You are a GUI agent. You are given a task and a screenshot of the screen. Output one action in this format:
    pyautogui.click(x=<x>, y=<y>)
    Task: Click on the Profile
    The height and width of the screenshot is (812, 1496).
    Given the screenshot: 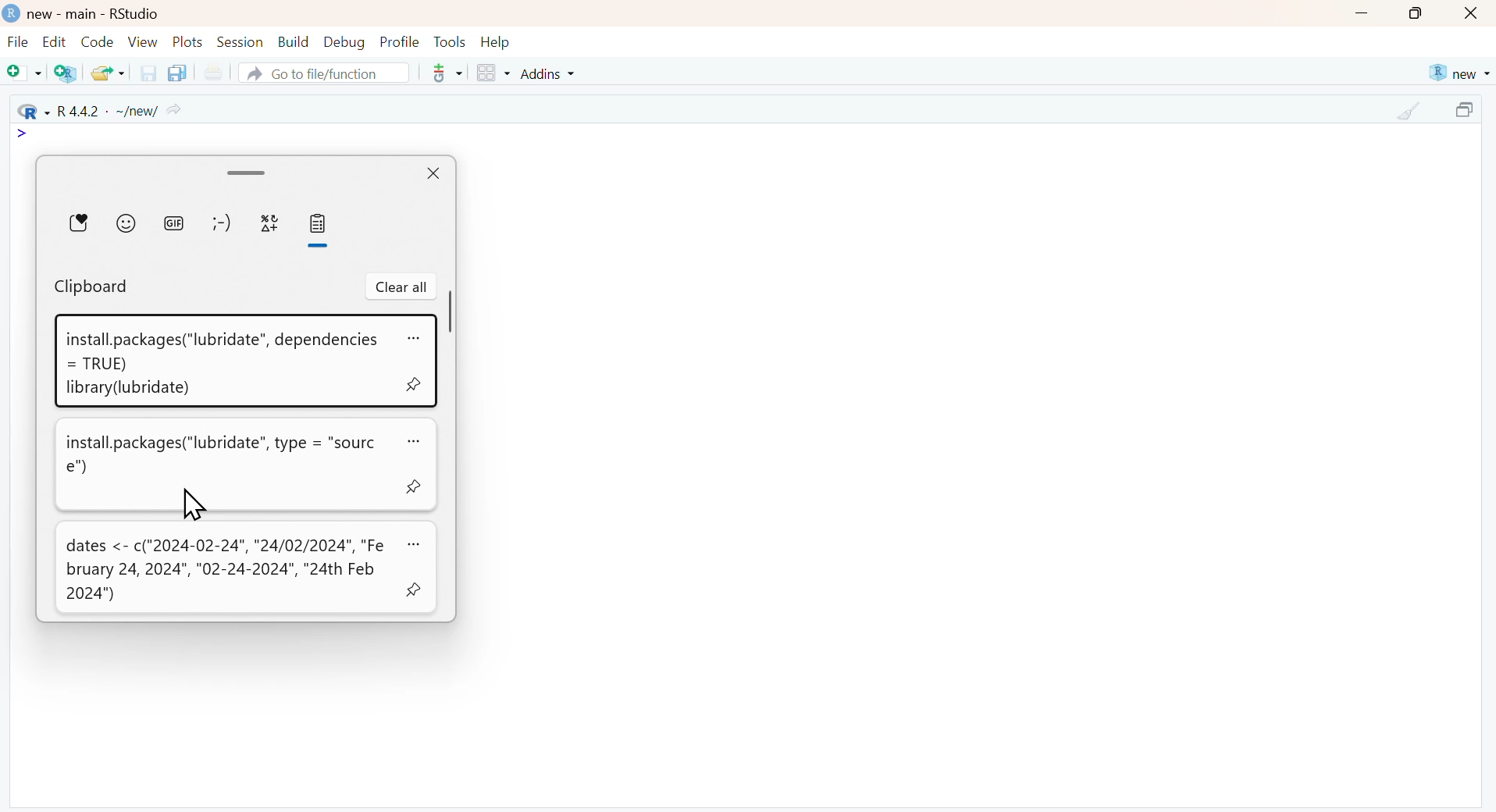 What is the action you would take?
    pyautogui.click(x=400, y=41)
    